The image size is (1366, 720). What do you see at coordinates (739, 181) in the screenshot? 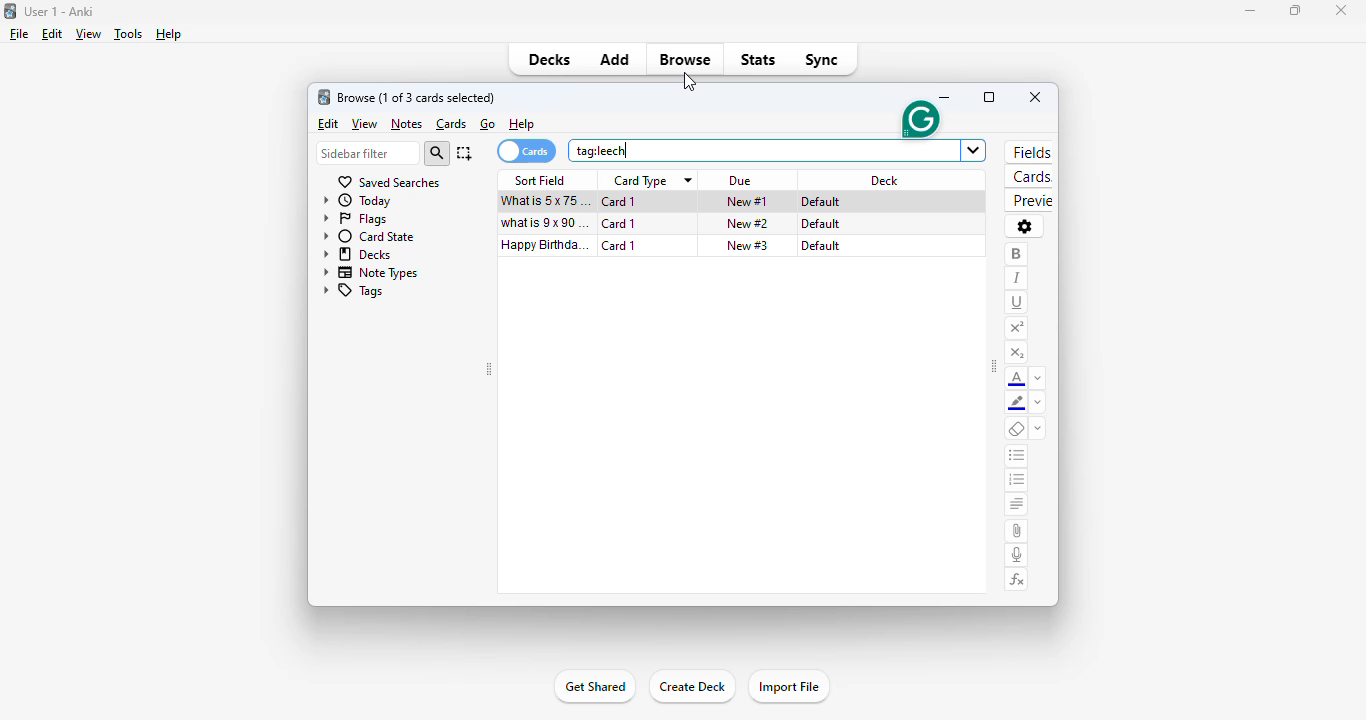
I see `due` at bounding box center [739, 181].